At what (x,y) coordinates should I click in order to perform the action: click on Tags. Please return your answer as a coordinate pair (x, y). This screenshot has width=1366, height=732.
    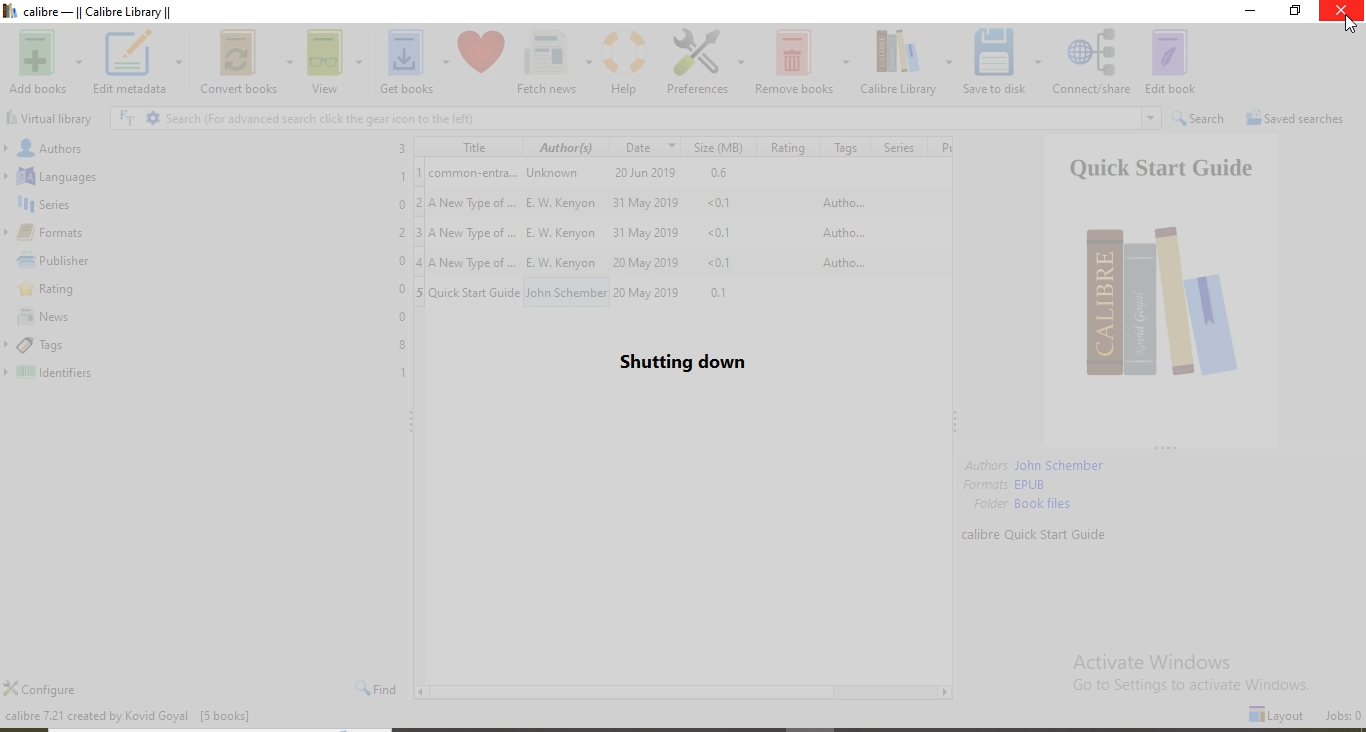
    Looking at the image, I should click on (843, 148).